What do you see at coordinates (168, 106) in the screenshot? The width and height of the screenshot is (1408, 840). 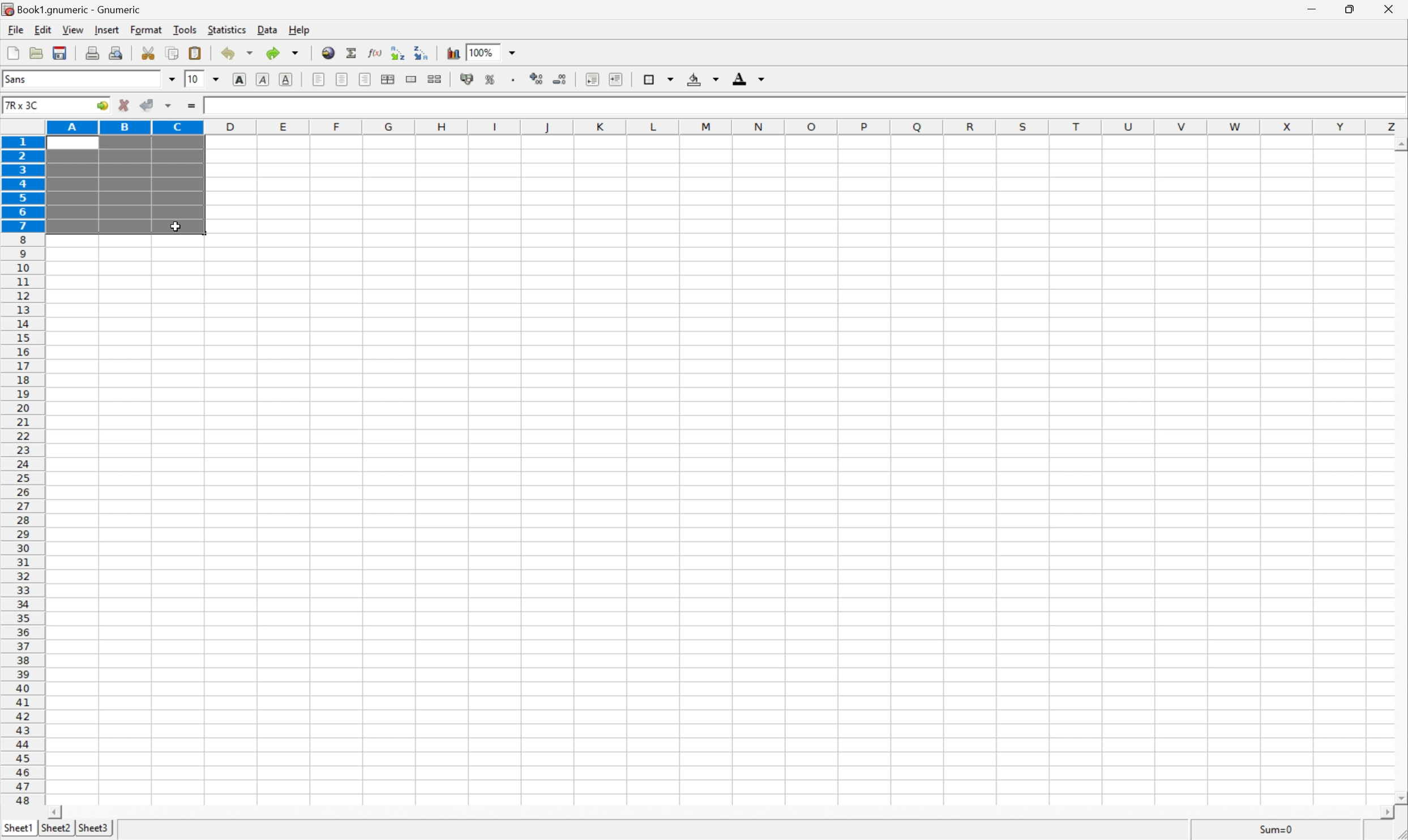 I see `accept changes across selection` at bounding box center [168, 106].